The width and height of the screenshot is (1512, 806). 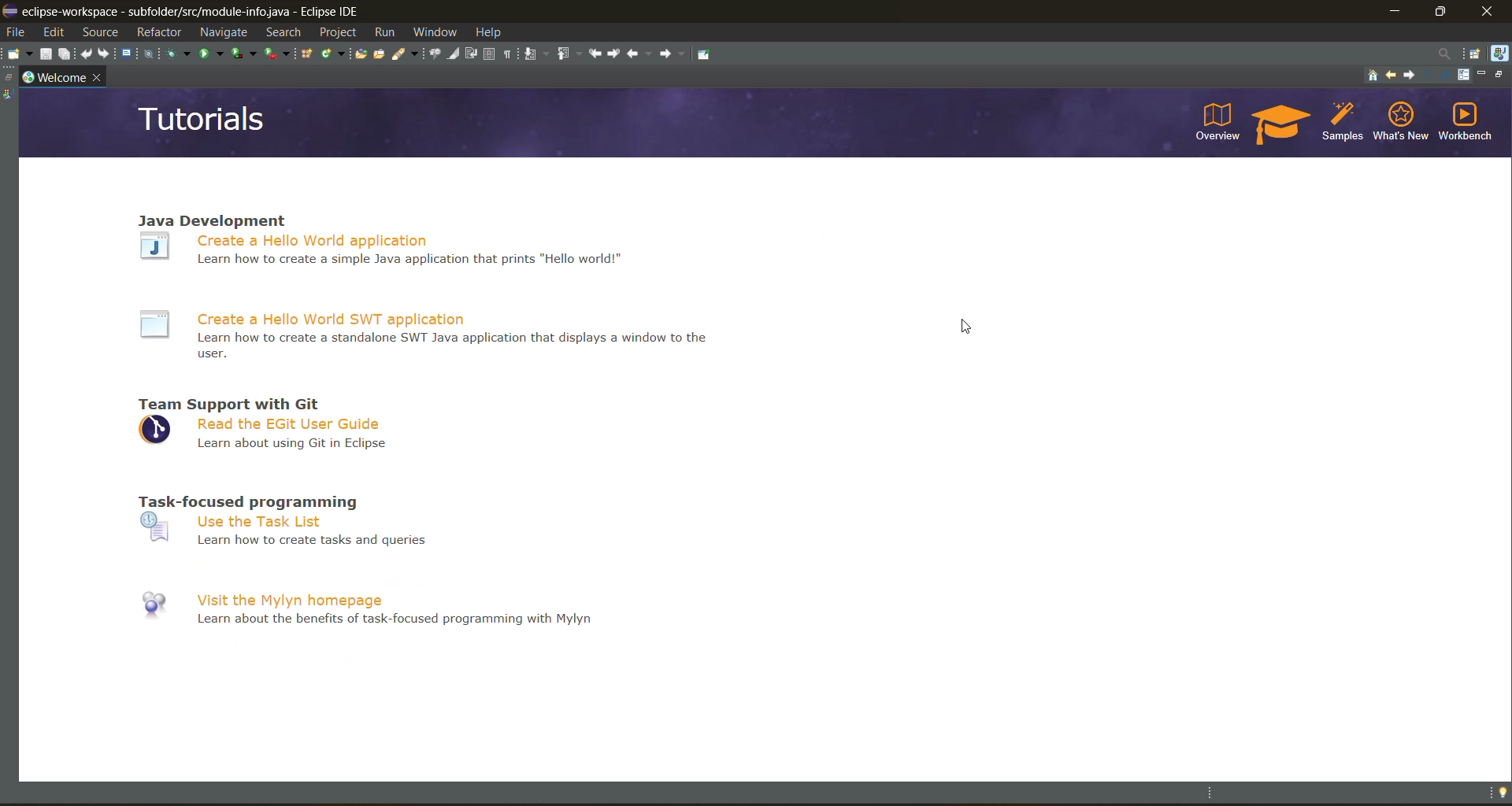 I want to click on java, so click(x=1499, y=53).